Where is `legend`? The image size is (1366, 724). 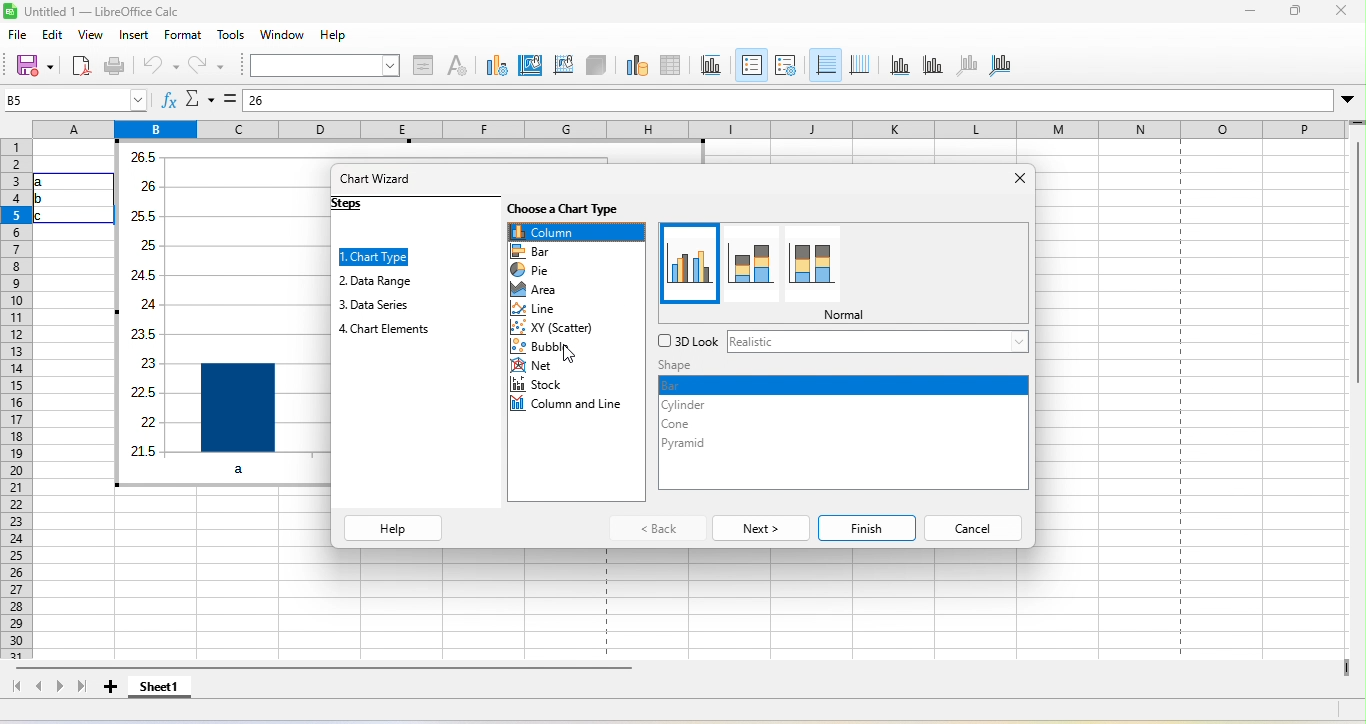 legend is located at coordinates (785, 65).